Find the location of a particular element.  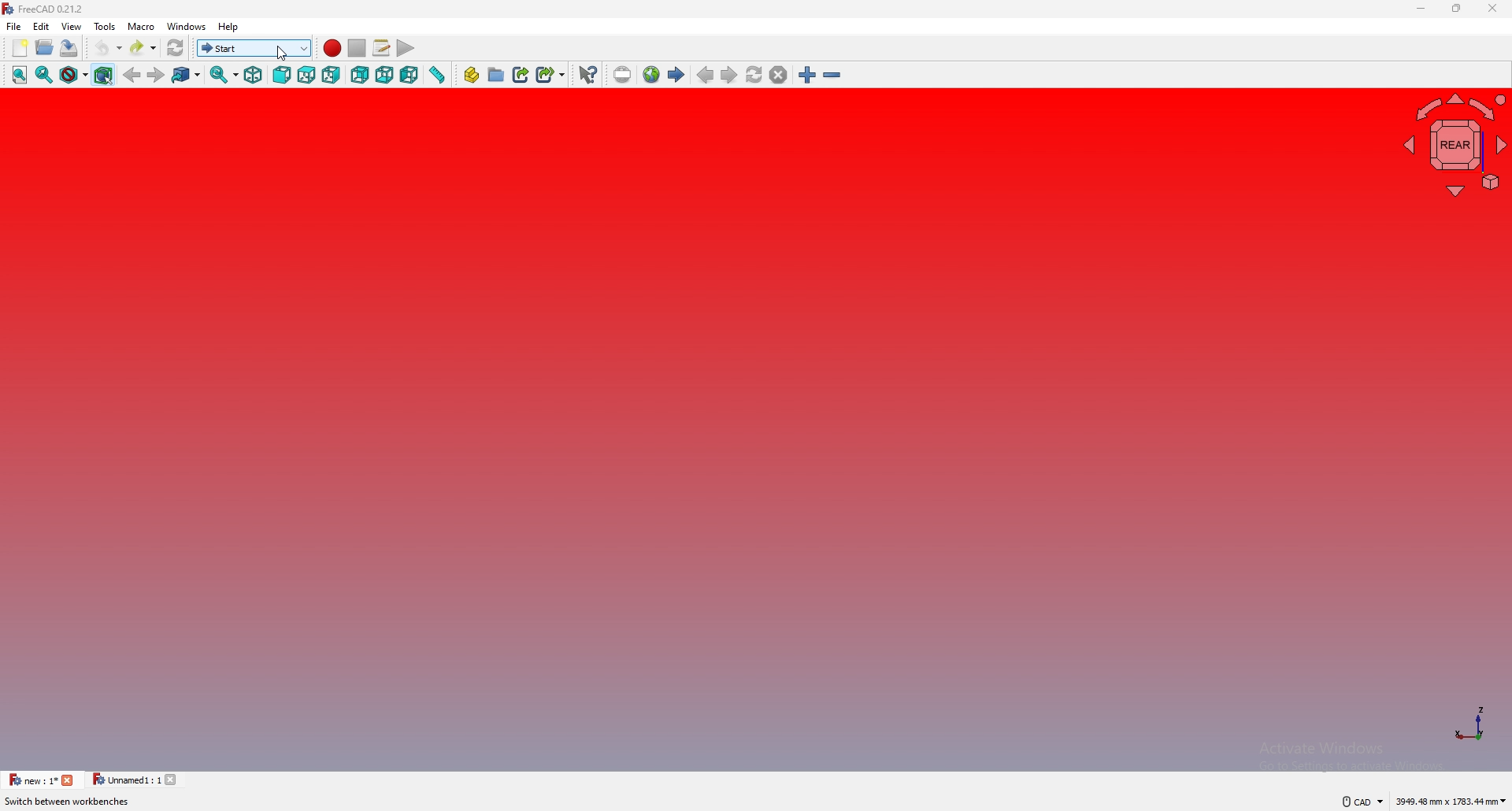

edit is located at coordinates (44, 26).